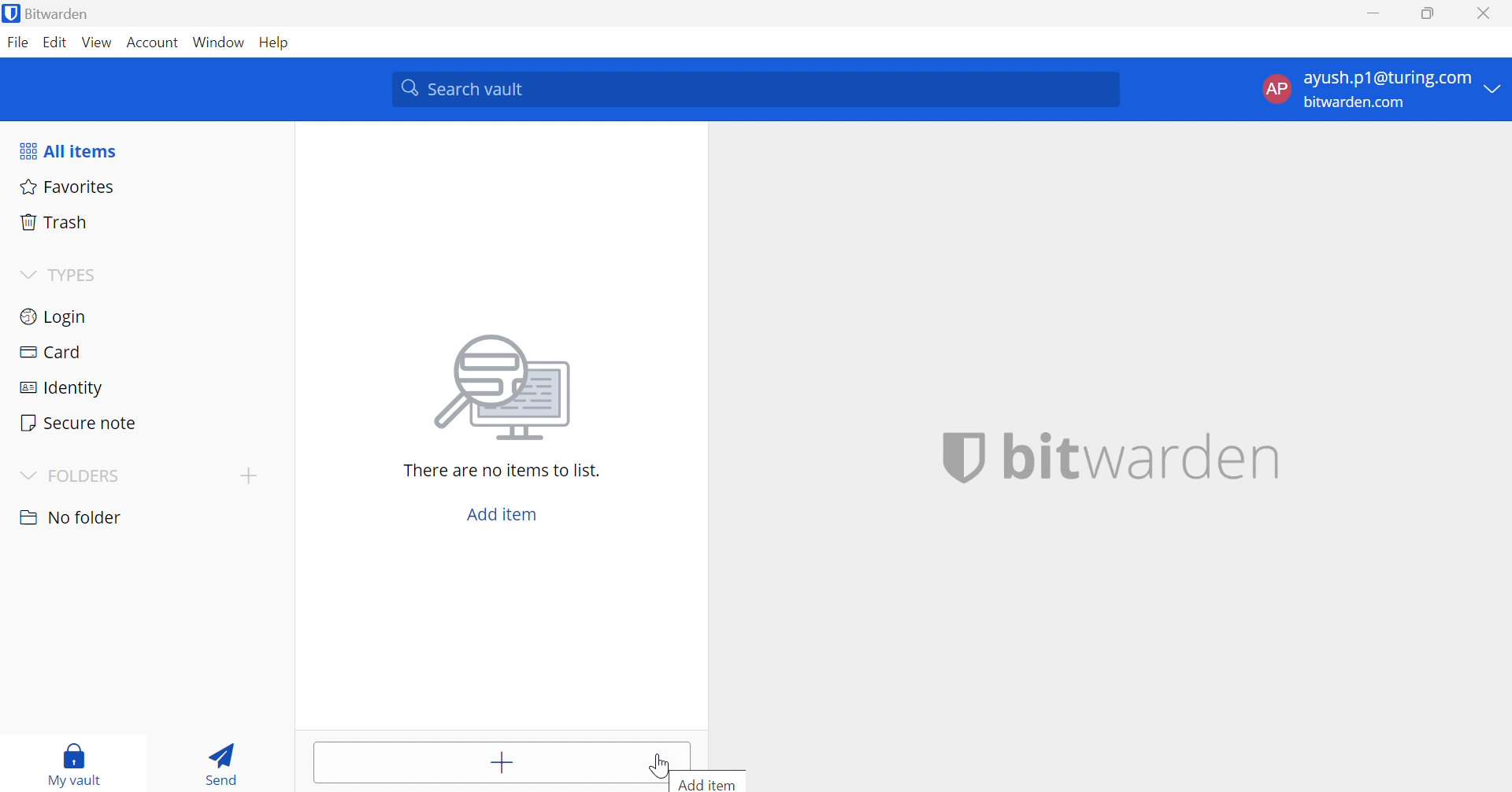  Describe the element at coordinates (50, 13) in the screenshot. I see `Bitwarden` at that location.